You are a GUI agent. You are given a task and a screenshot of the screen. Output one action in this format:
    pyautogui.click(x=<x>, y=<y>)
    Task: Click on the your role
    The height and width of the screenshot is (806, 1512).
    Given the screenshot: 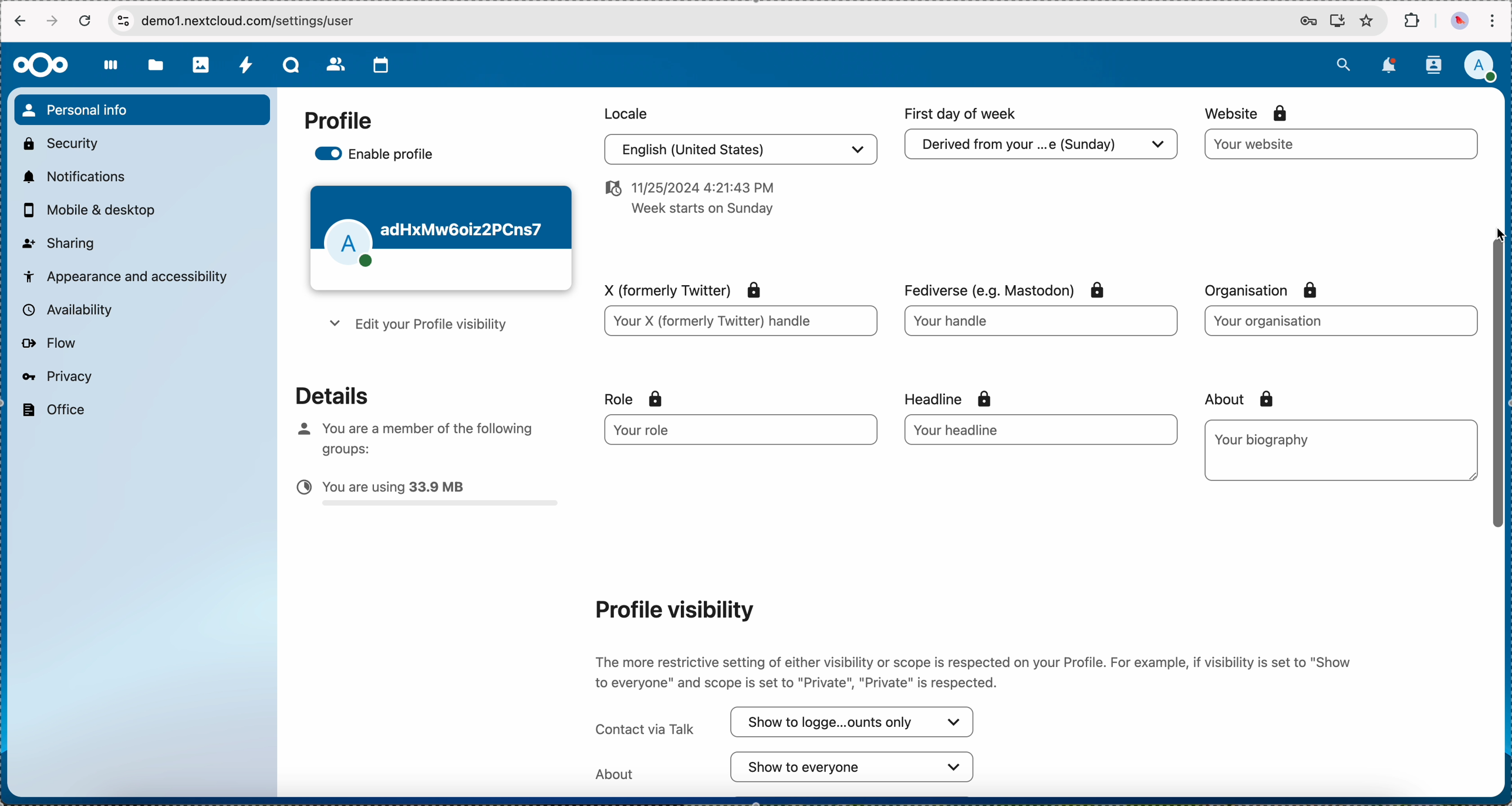 What is the action you would take?
    pyautogui.click(x=731, y=430)
    